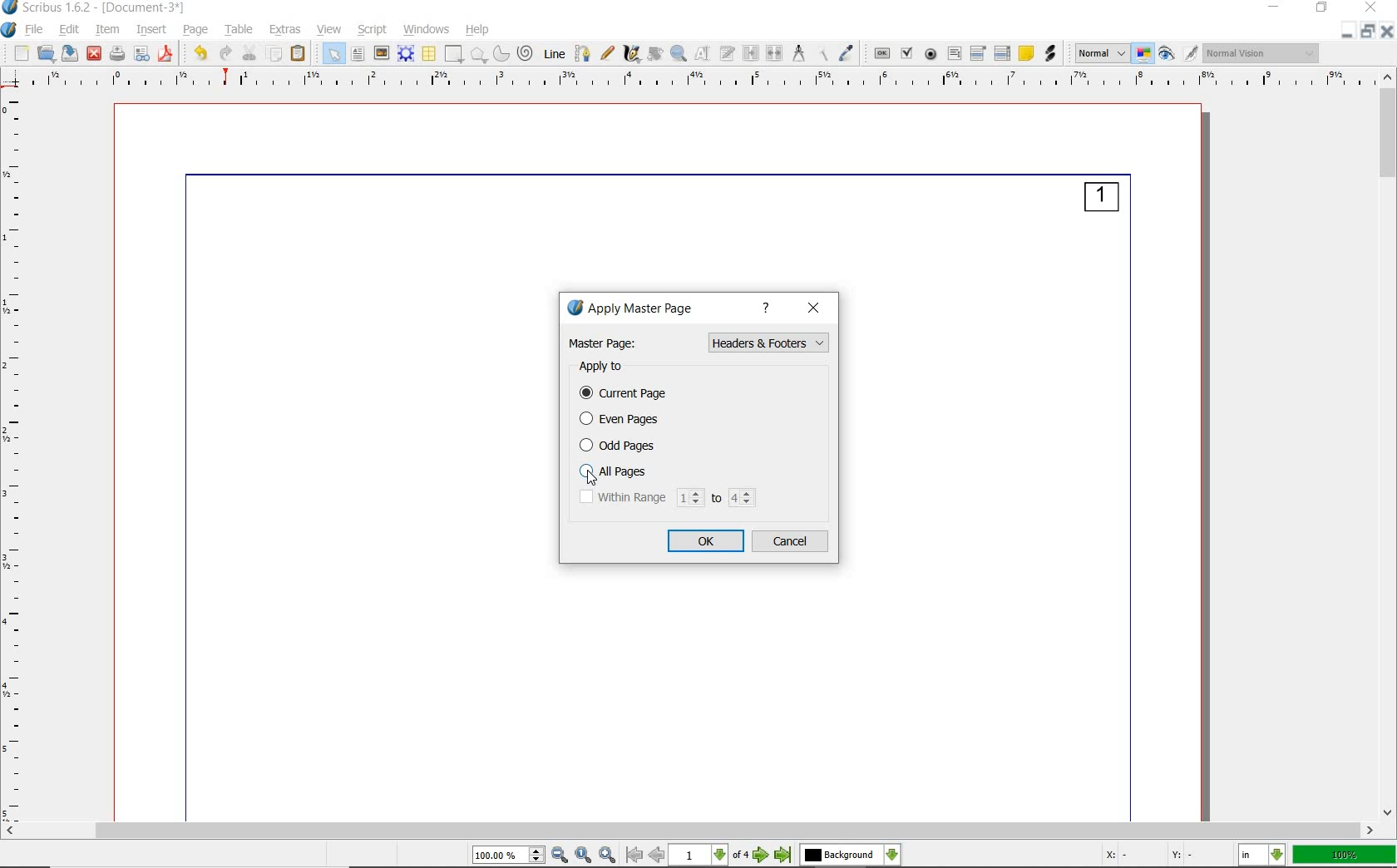  Describe the element at coordinates (772, 359) in the screenshot. I see `Header & Footers` at that location.